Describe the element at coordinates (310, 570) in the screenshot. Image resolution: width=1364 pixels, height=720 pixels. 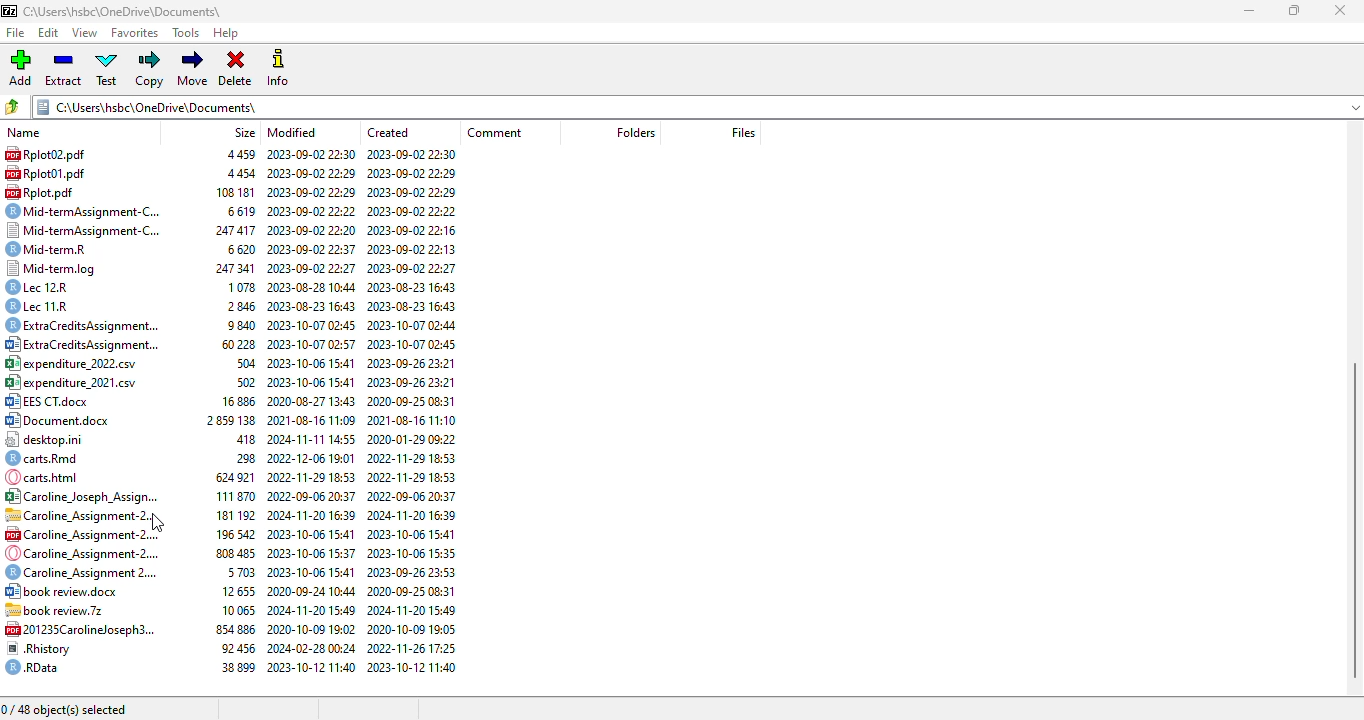
I see `2023-10-06 15:41` at that location.